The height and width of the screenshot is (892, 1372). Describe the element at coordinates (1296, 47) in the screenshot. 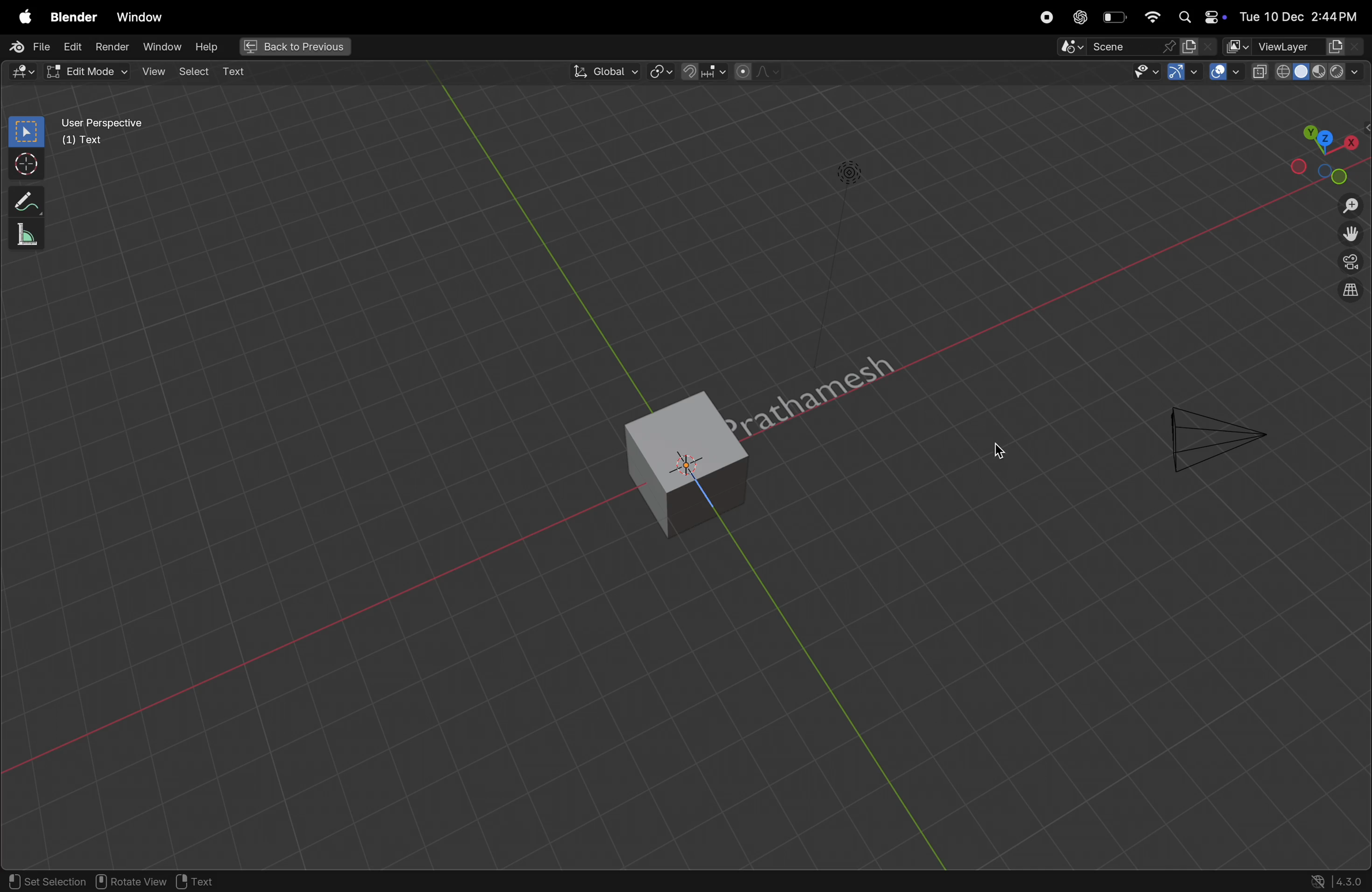

I see `View layer` at that location.